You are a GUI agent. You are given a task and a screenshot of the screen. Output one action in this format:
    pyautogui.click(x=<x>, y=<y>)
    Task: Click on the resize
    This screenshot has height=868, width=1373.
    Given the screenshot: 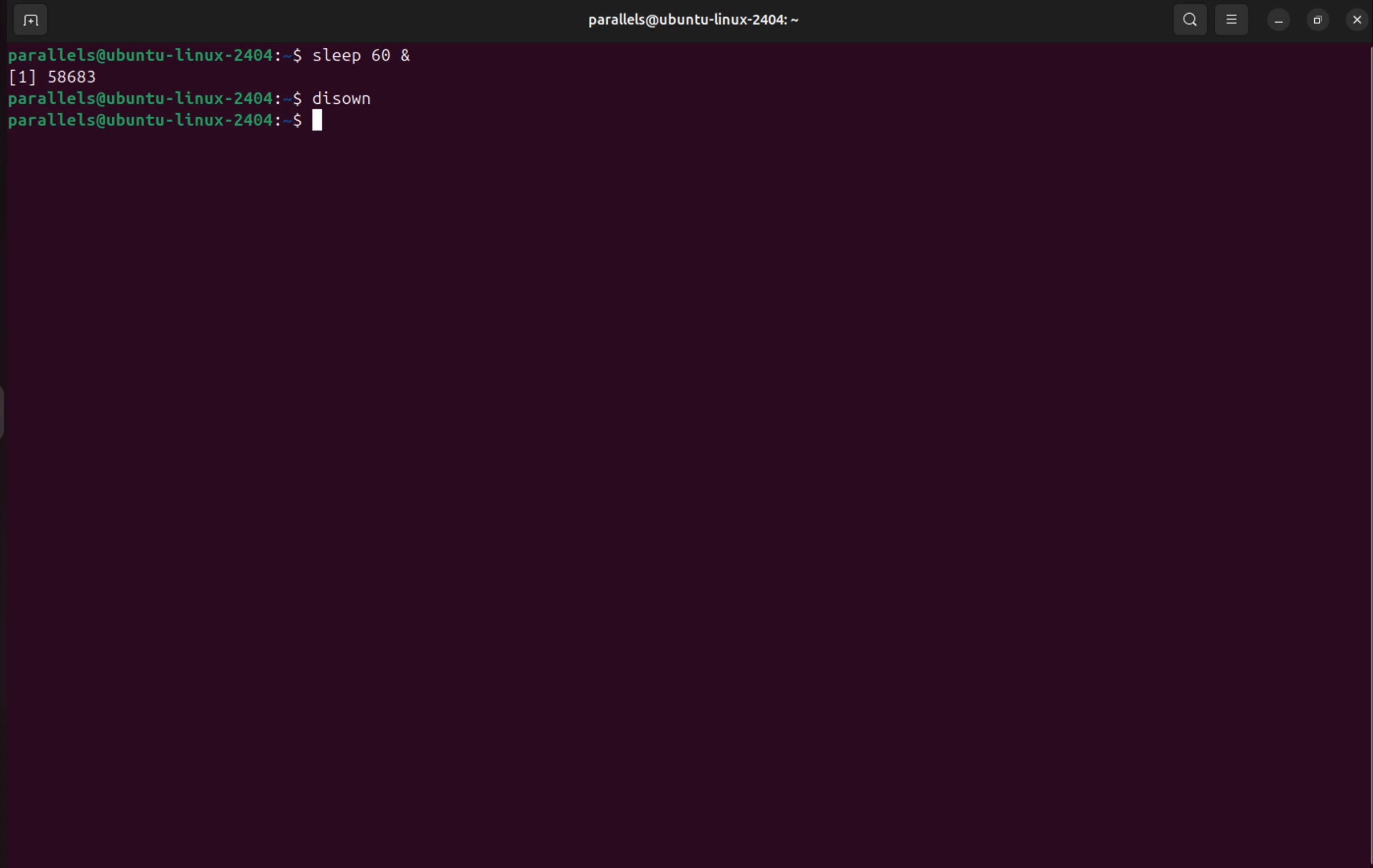 What is the action you would take?
    pyautogui.click(x=1318, y=20)
    